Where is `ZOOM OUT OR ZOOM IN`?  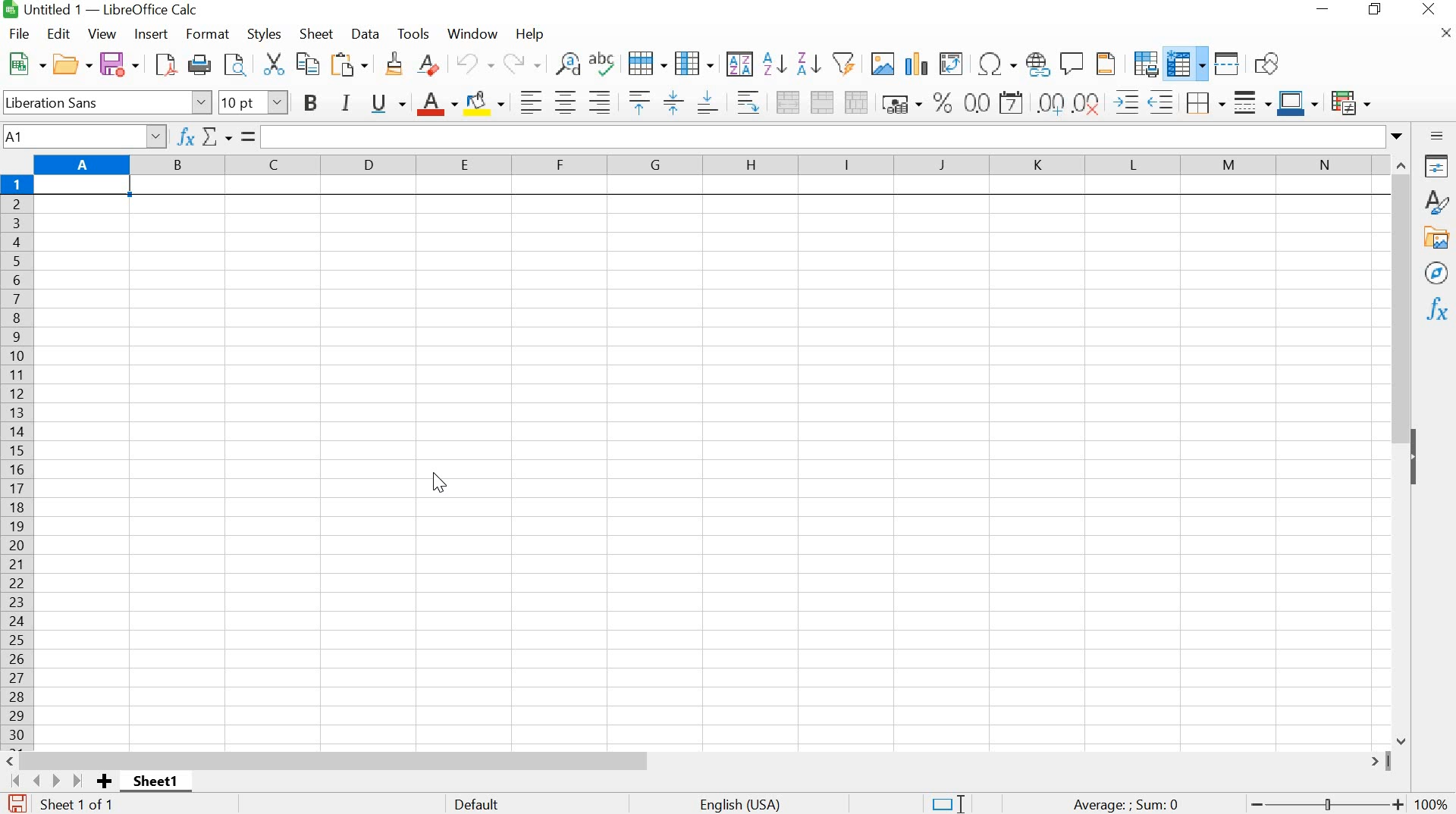
ZOOM OUT OR ZOOM IN is located at coordinates (1324, 805).